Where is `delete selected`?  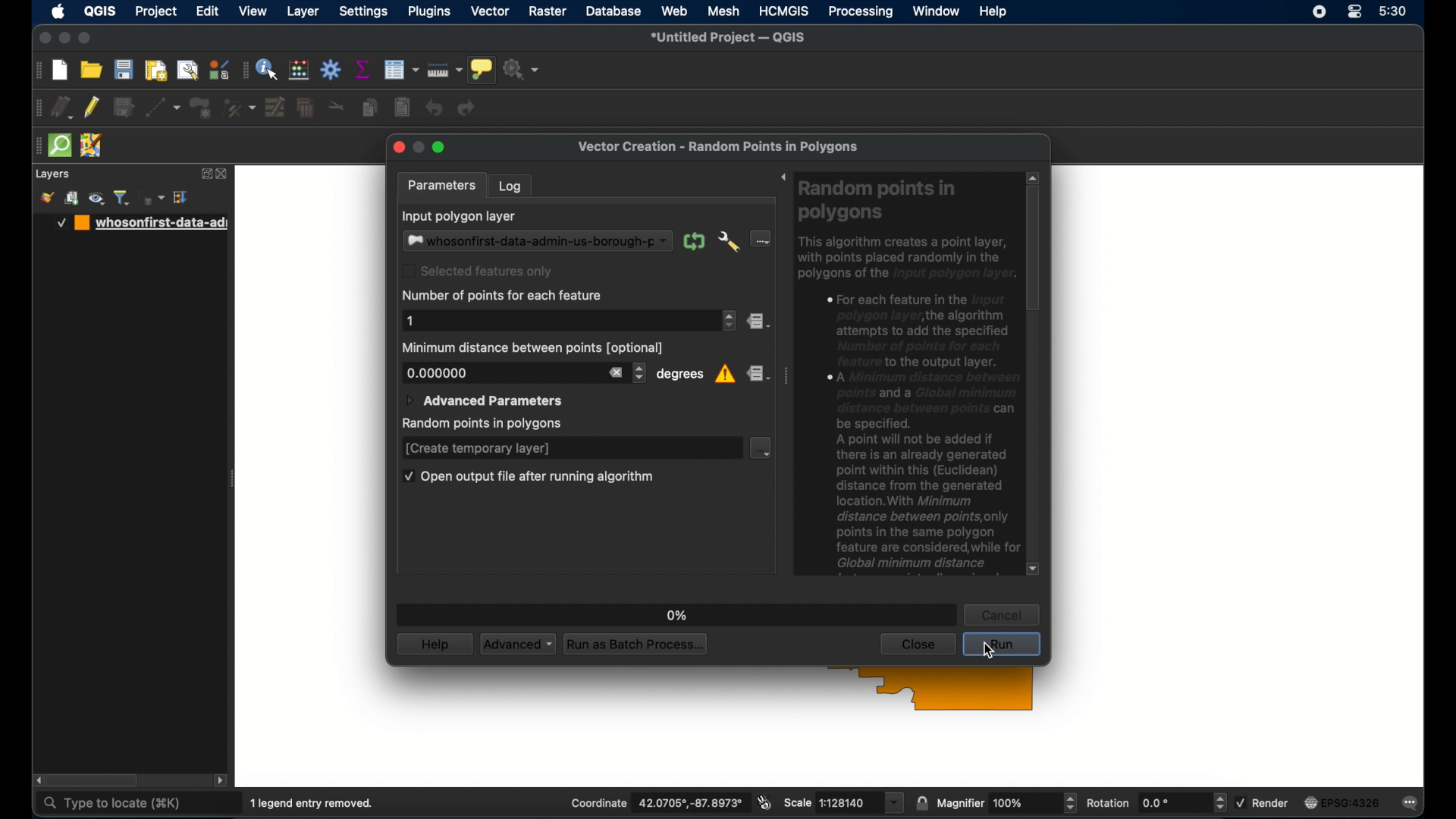
delete selected is located at coordinates (306, 106).